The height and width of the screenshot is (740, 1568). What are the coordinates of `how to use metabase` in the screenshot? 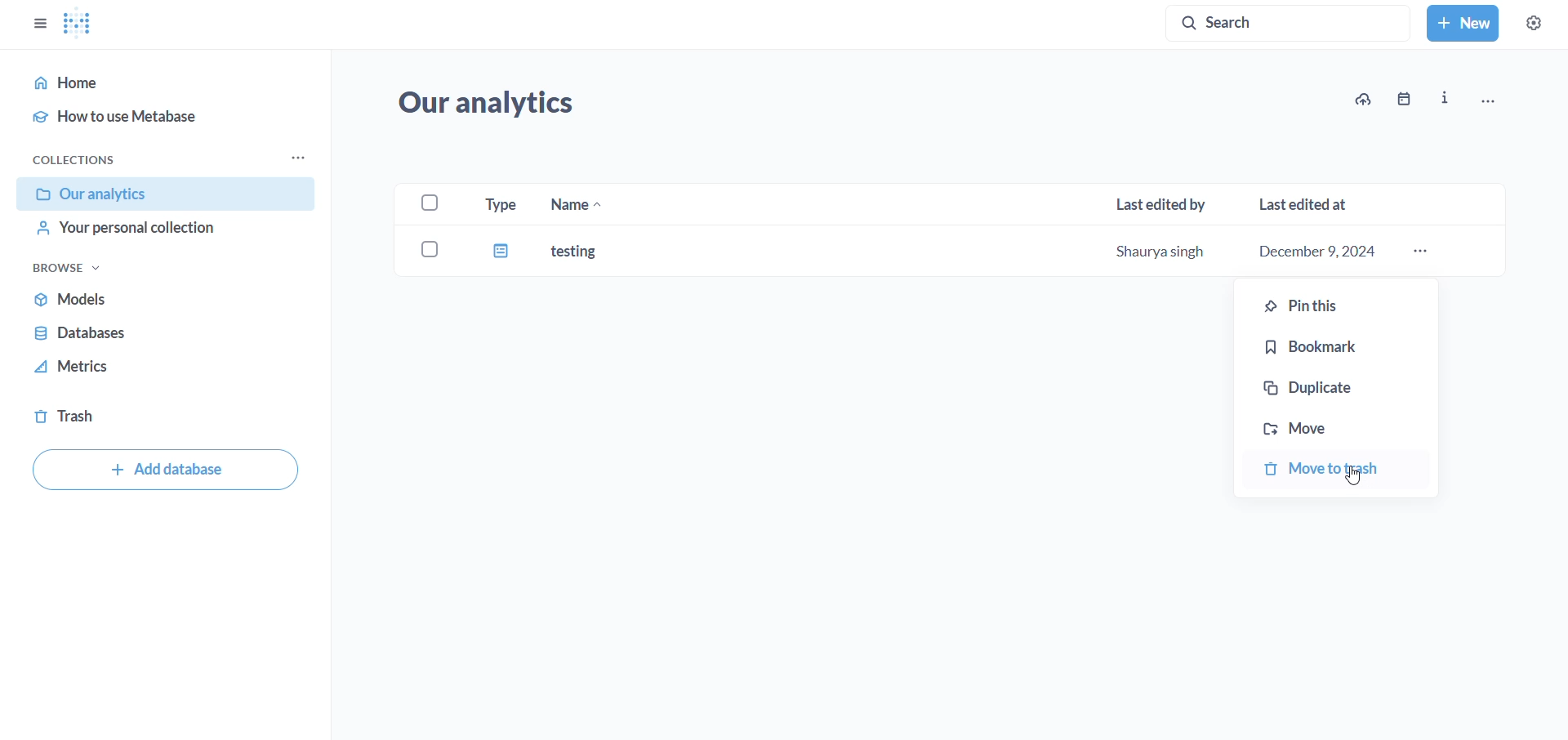 It's located at (158, 114).